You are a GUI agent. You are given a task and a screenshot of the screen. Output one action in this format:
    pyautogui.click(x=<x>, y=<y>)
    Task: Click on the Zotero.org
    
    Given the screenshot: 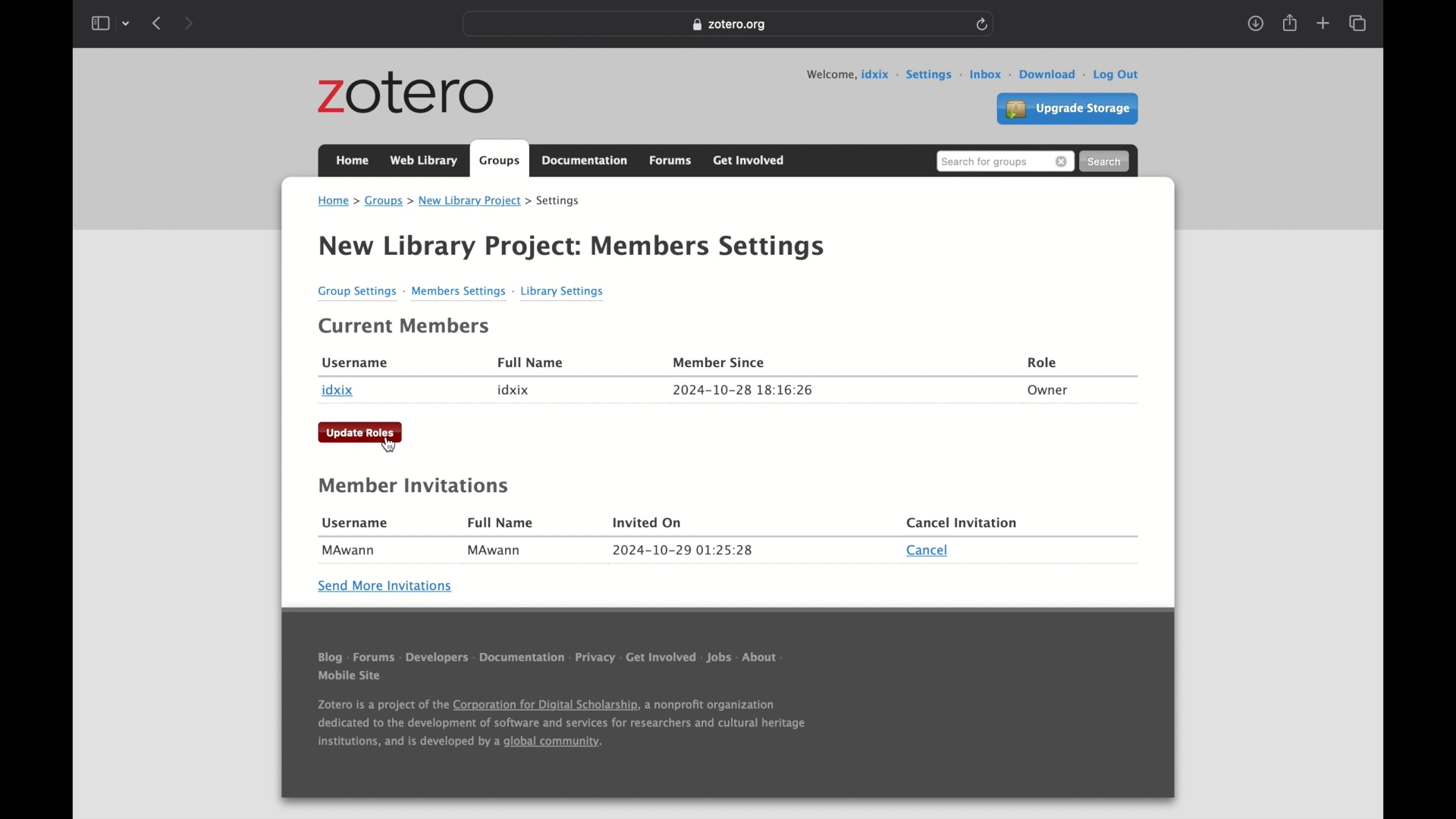 What is the action you would take?
    pyautogui.click(x=730, y=25)
    